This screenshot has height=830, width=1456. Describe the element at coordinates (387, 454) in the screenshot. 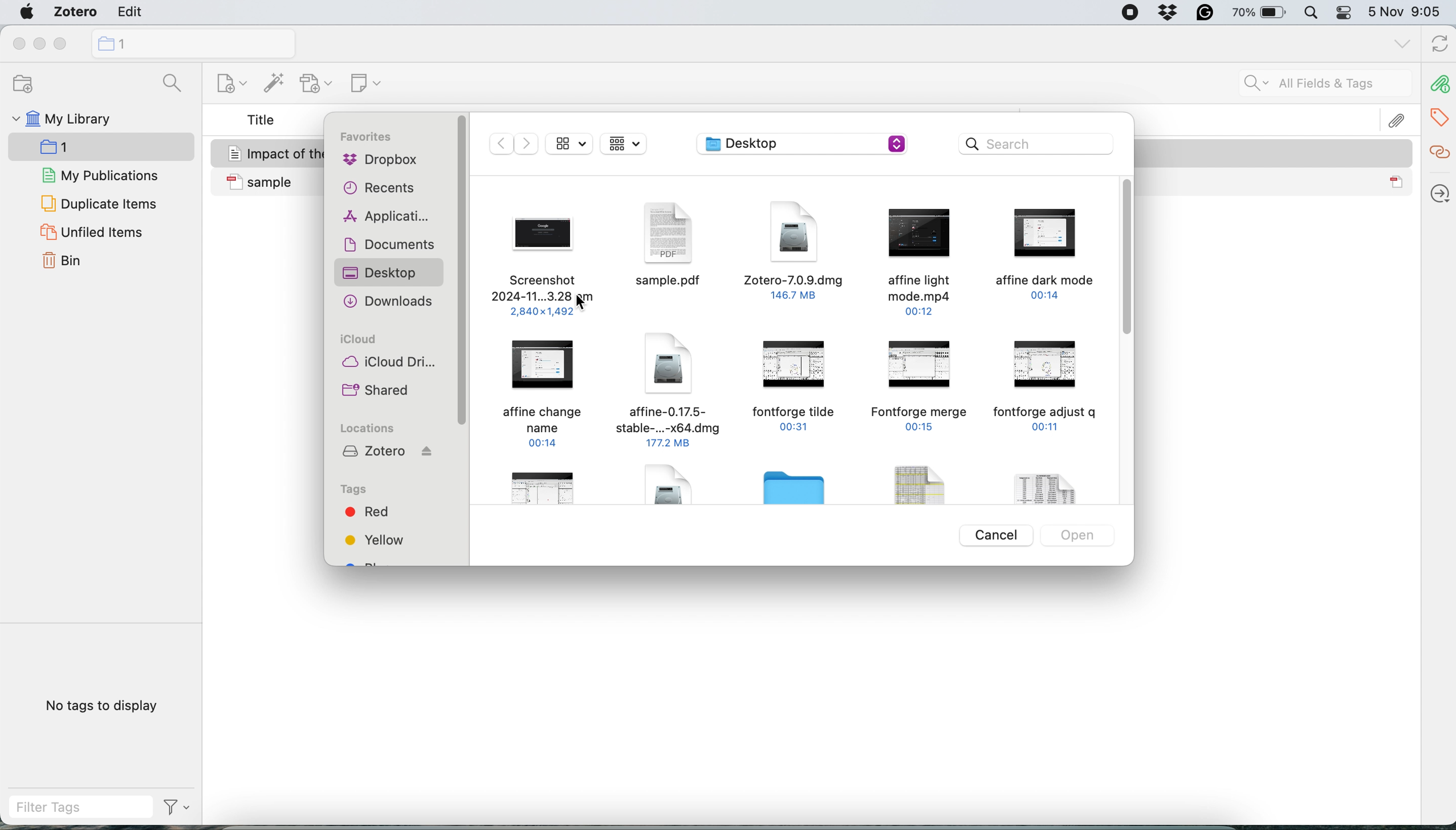

I see `zotero` at that location.